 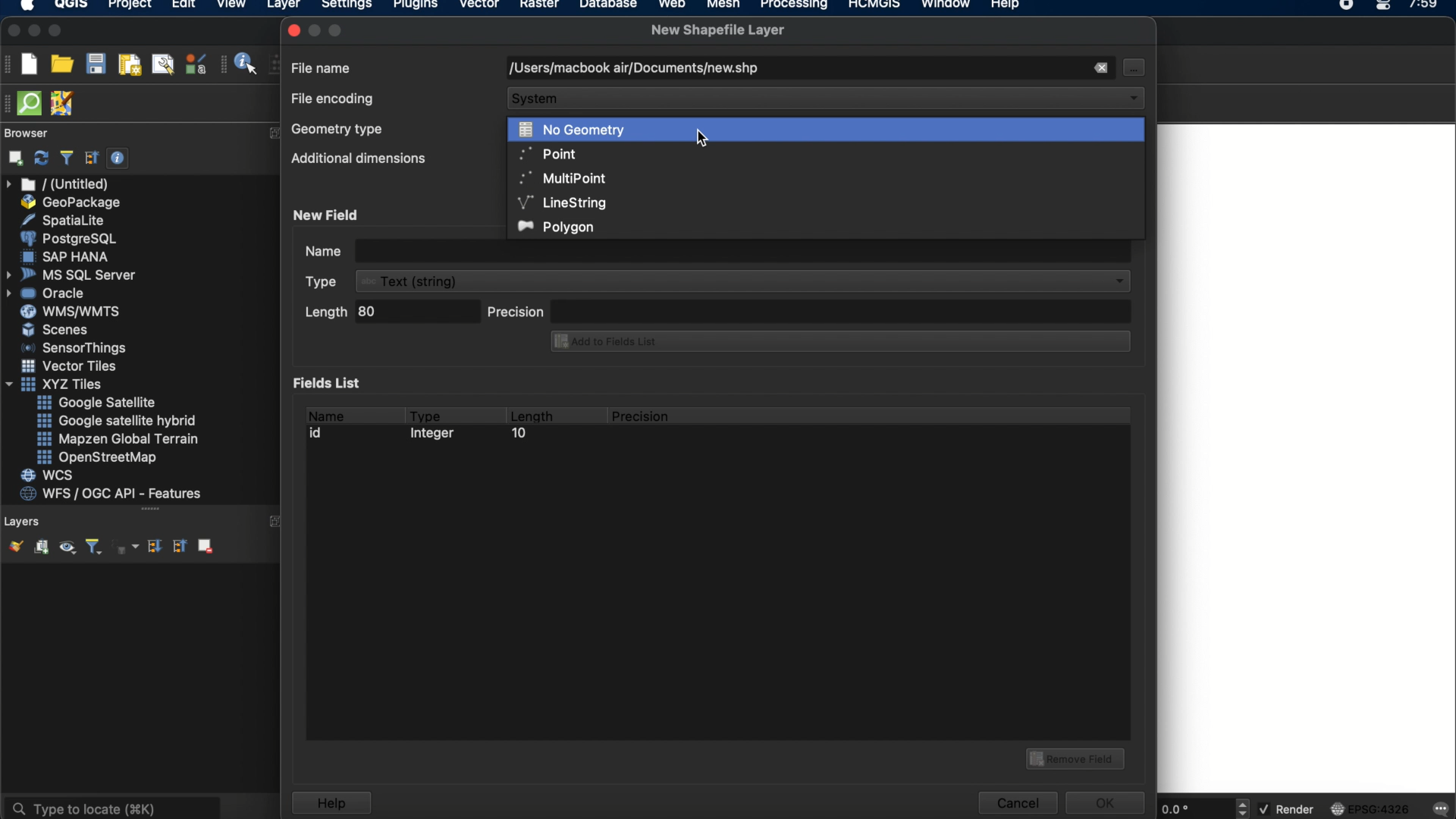 I want to click on messages, so click(x=1439, y=810).